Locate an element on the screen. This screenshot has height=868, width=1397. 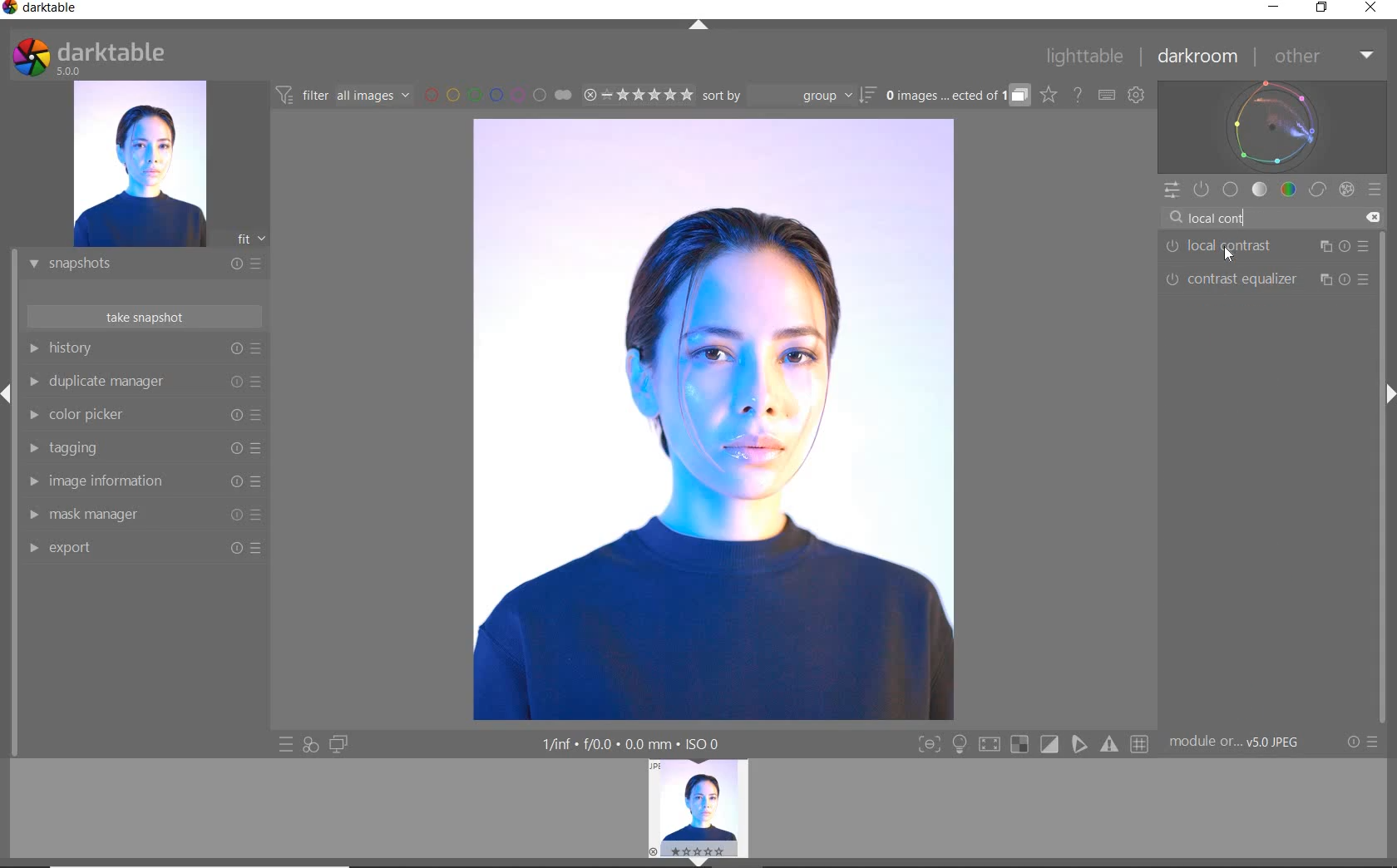
SNAPSHOTS is located at coordinates (138, 265).